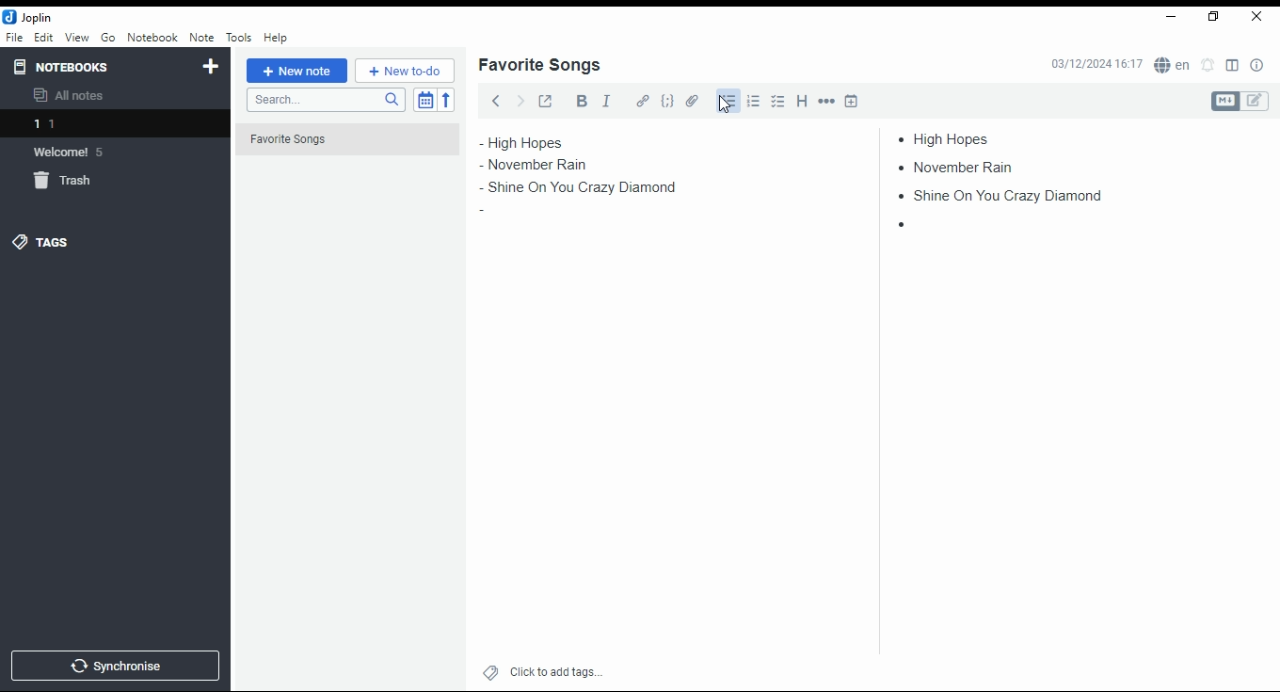 The image size is (1280, 692). What do you see at coordinates (828, 100) in the screenshot?
I see `horizontal rule` at bounding box center [828, 100].